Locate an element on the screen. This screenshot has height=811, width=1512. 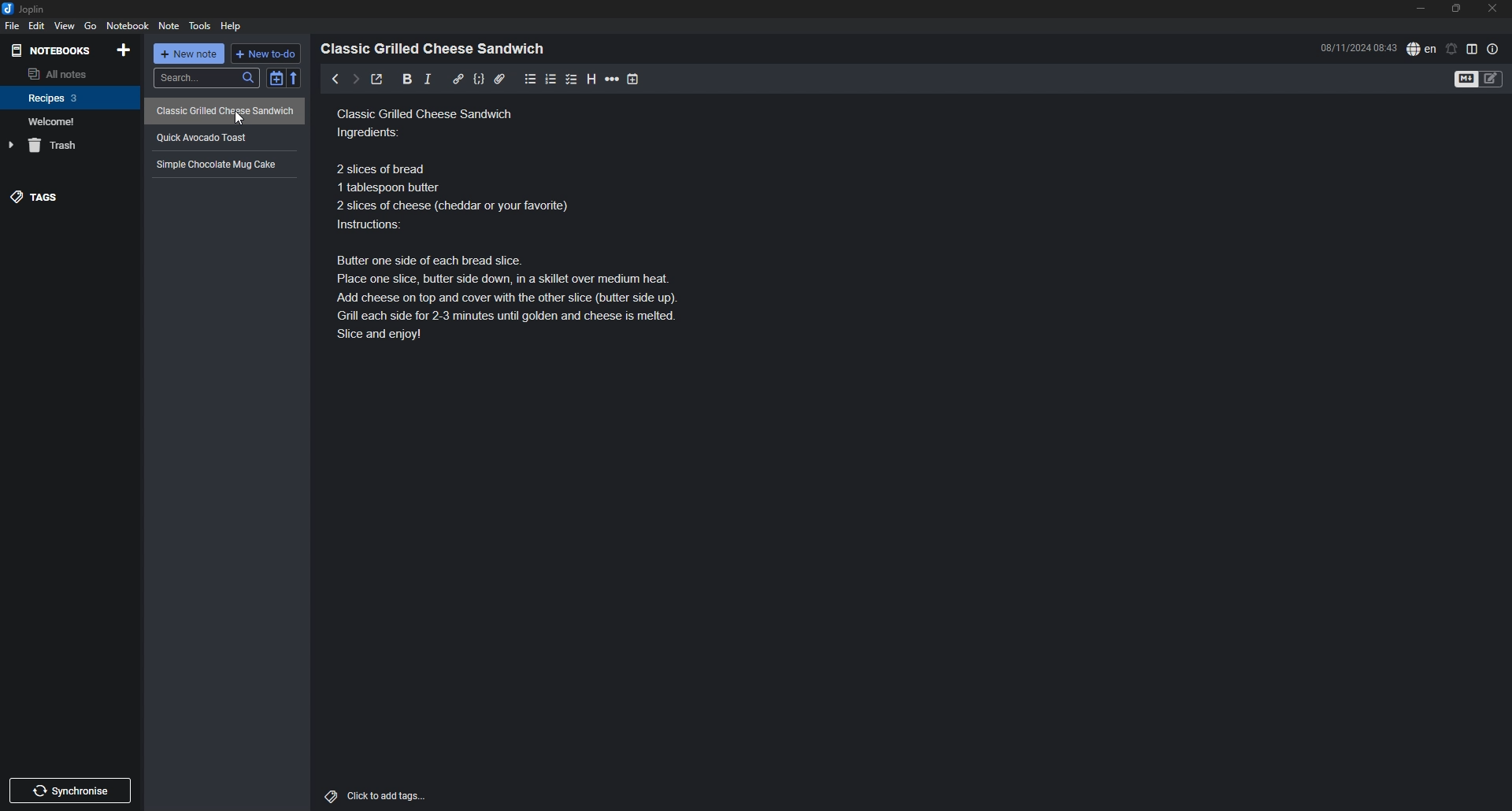
next is located at coordinates (355, 80).